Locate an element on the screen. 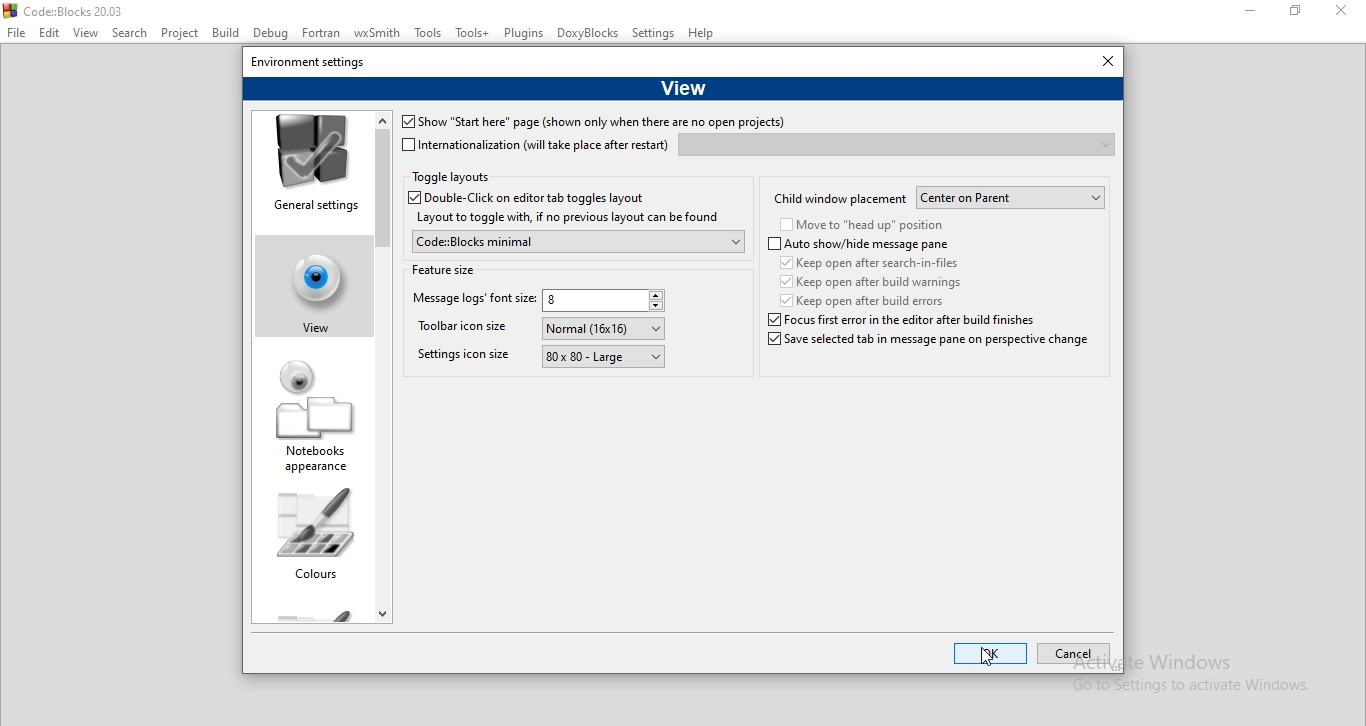  ok is located at coordinates (991, 655).